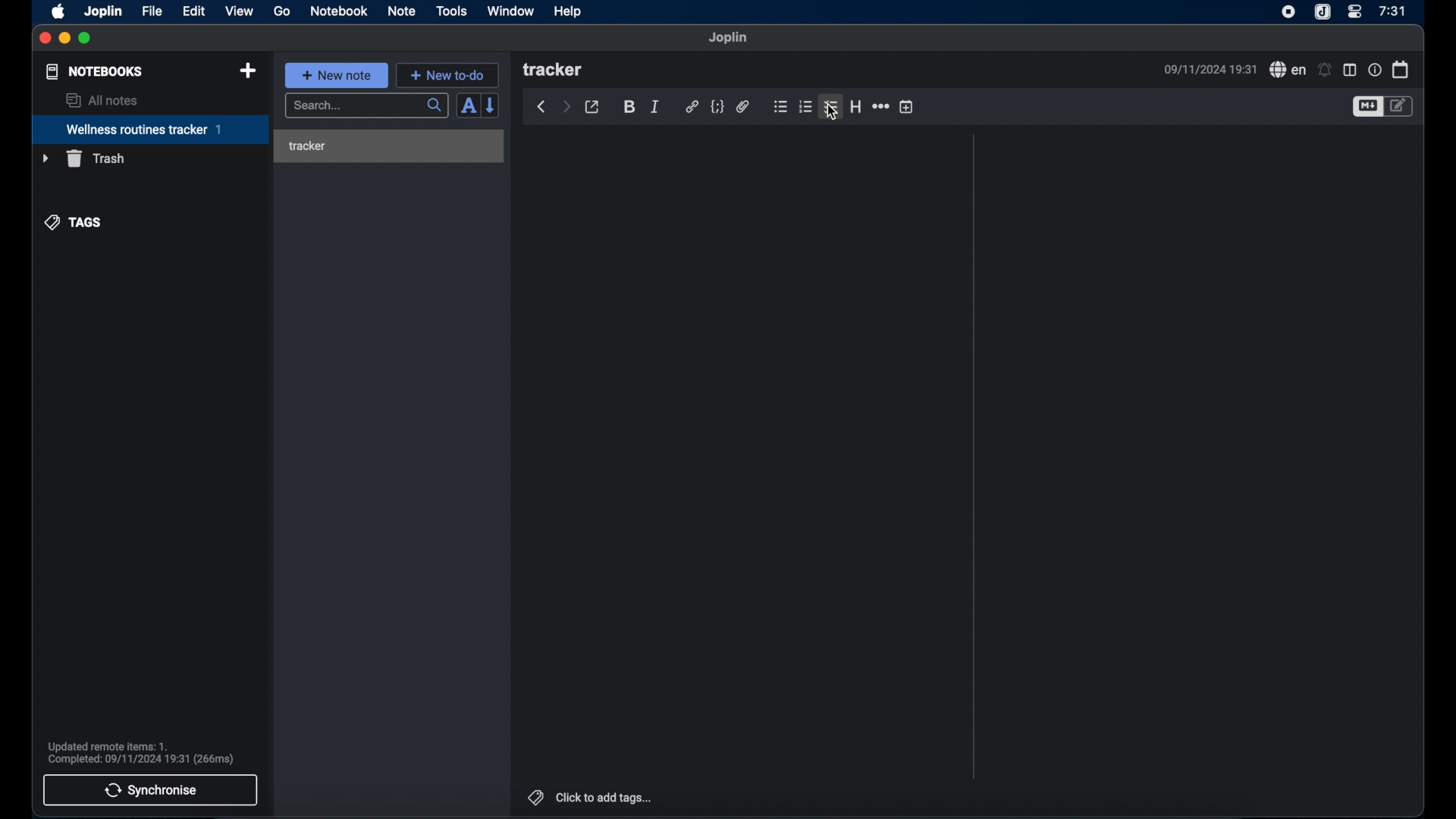 This screenshot has width=1456, height=819. I want to click on calendar, so click(1401, 69).